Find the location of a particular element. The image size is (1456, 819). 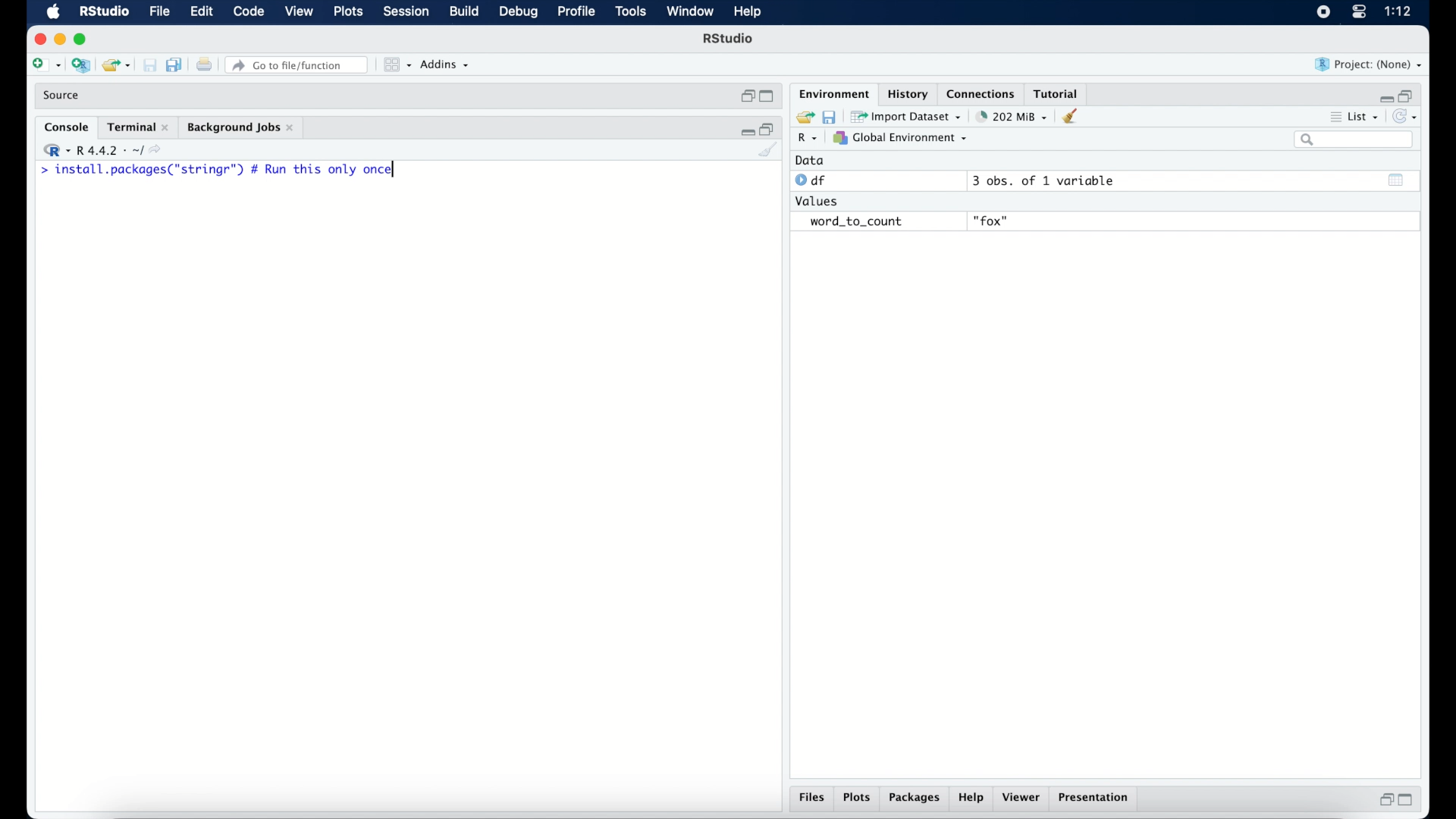

maximize is located at coordinates (1409, 800).